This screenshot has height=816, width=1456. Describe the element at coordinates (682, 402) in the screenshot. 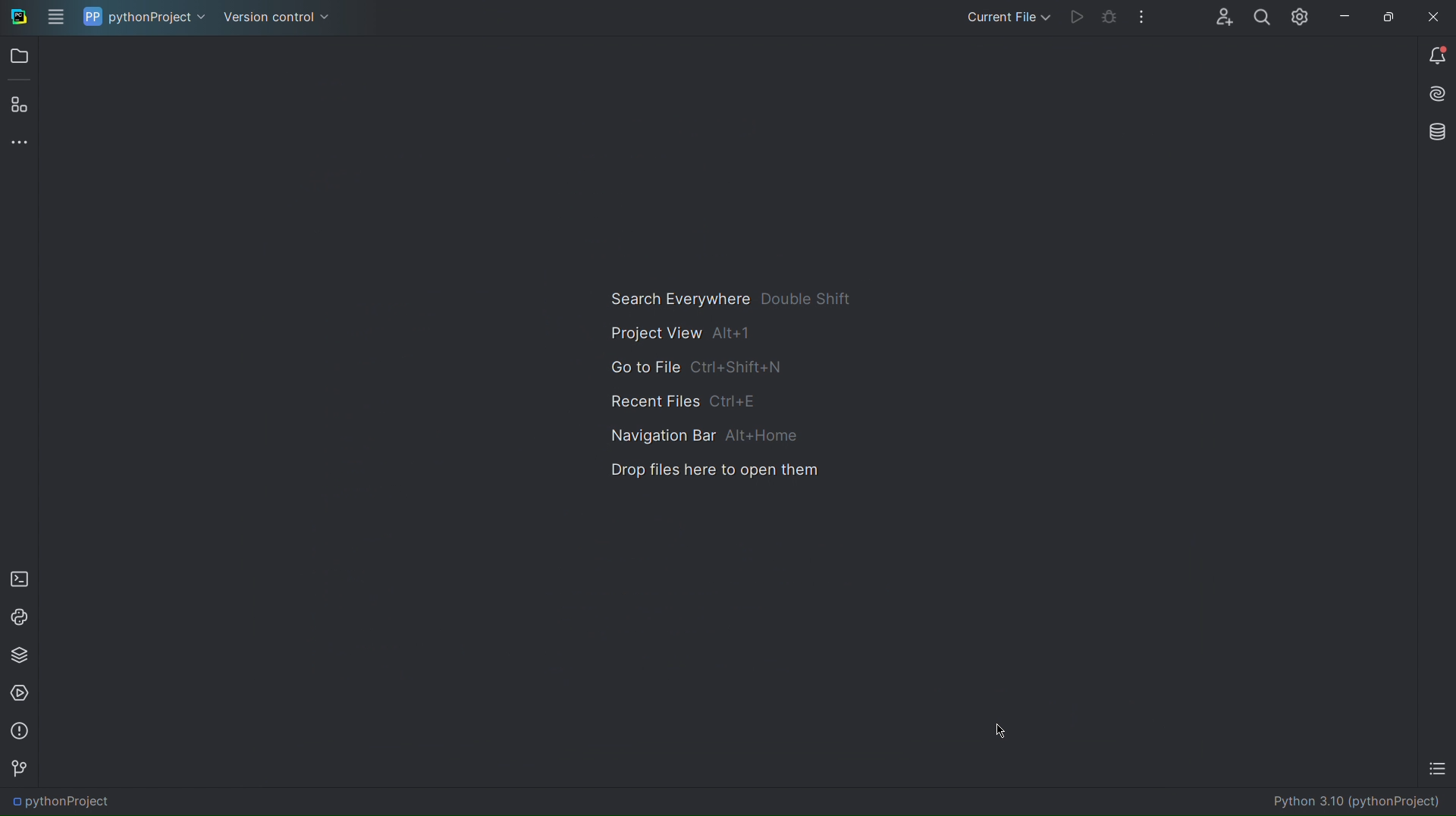

I see `Recent Files` at that location.